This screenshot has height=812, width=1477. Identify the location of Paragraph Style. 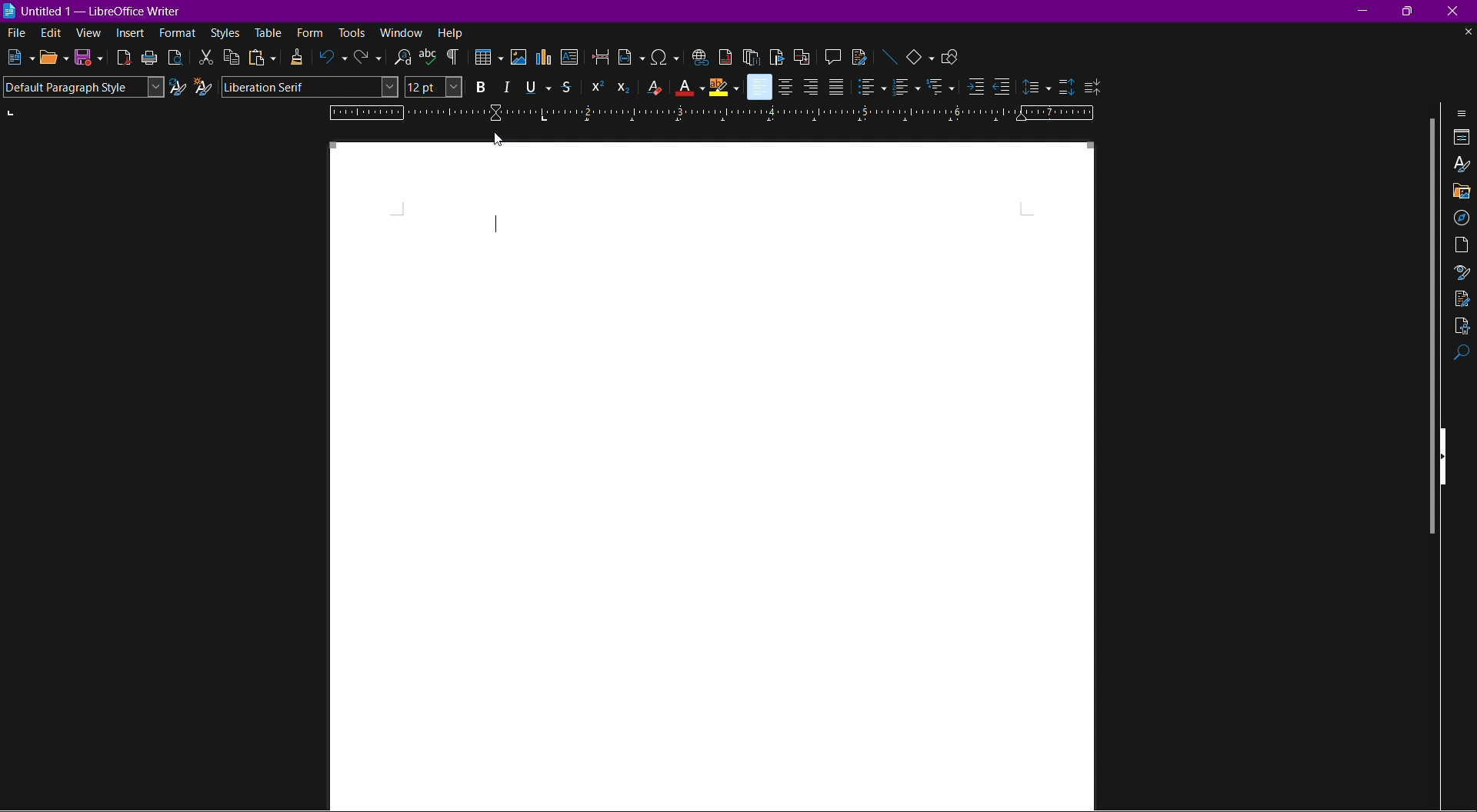
(82, 87).